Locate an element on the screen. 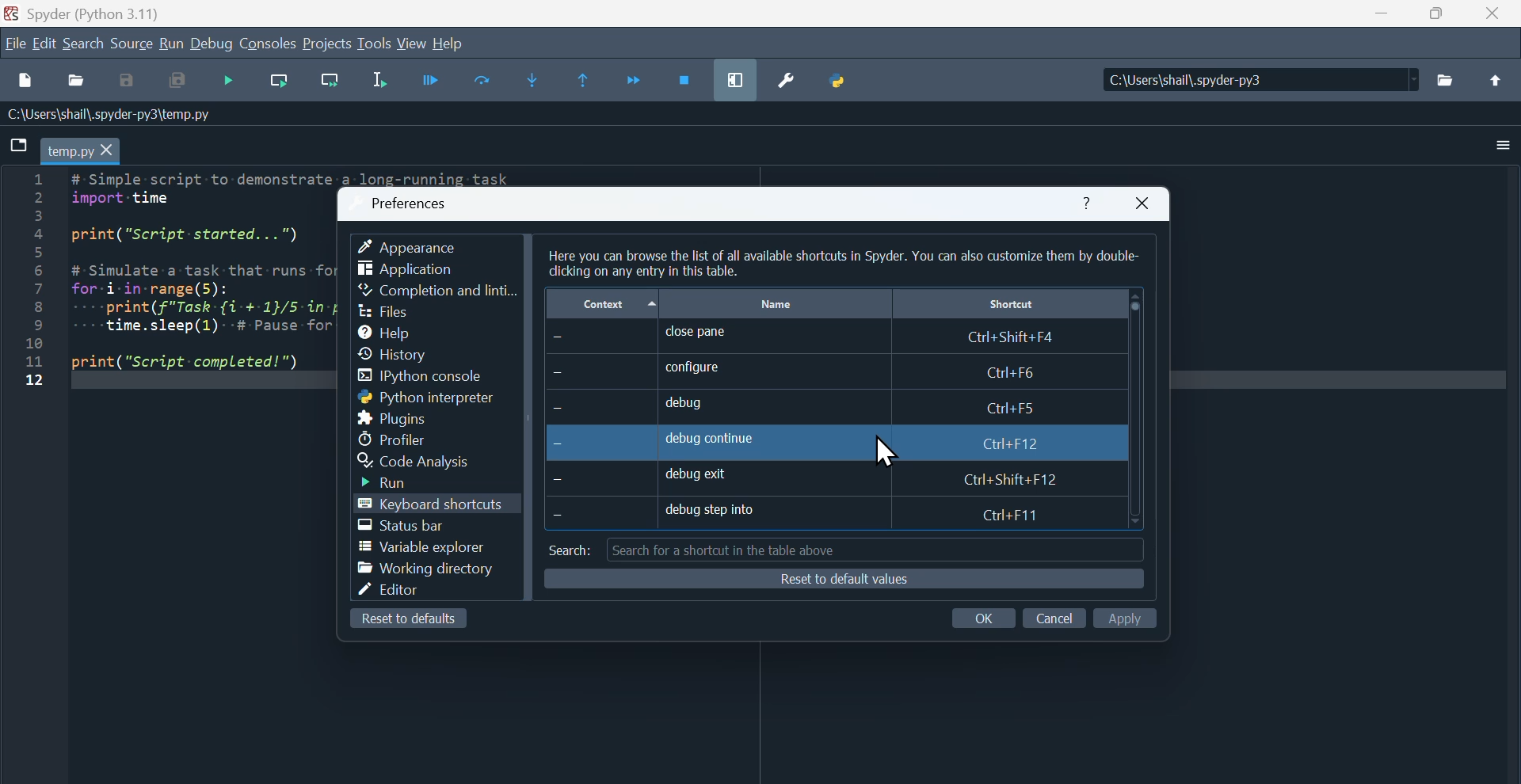 This screenshot has height=784, width=1521.  is located at coordinates (1130, 617).